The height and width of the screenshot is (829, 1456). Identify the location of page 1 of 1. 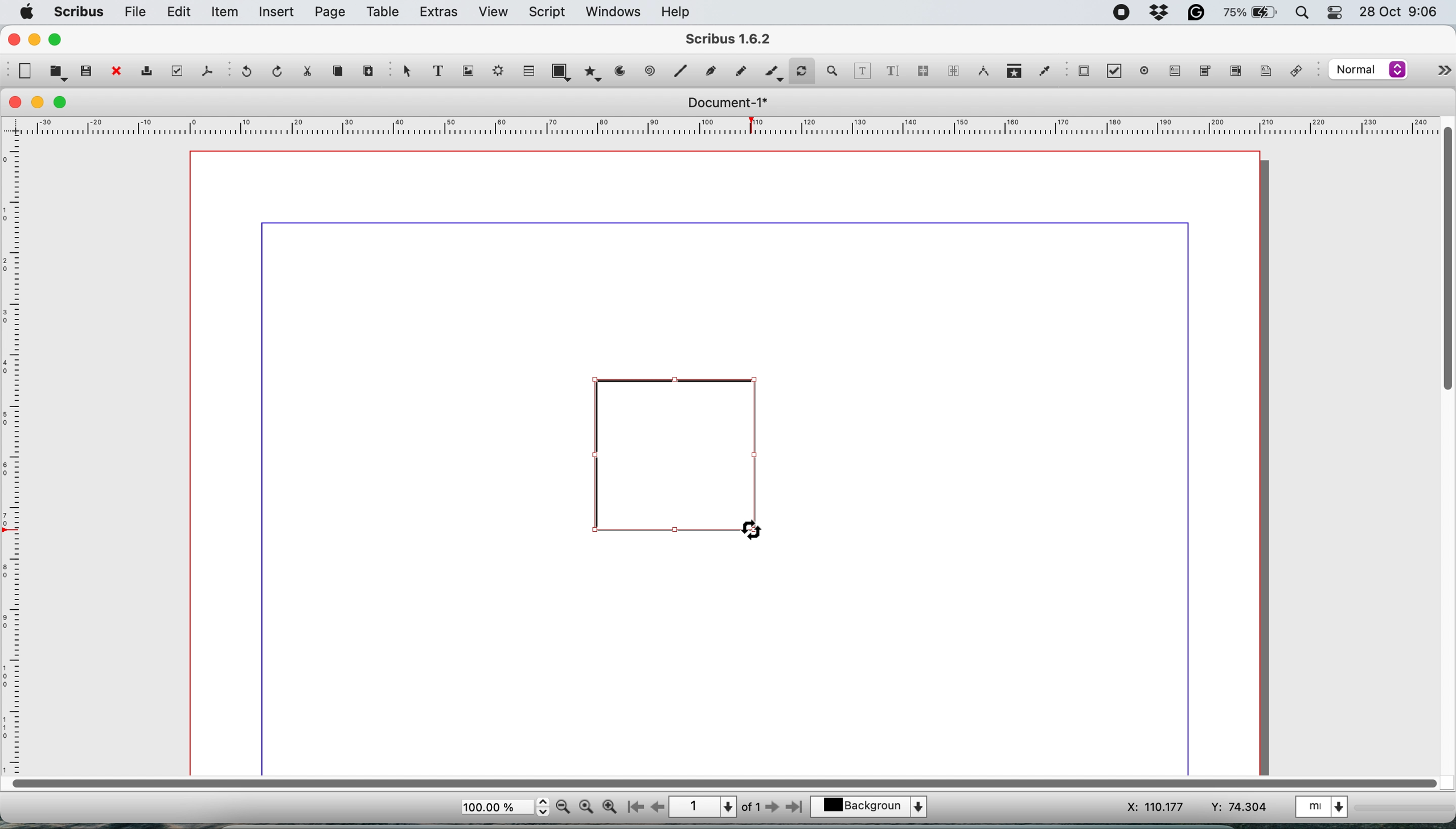
(715, 806).